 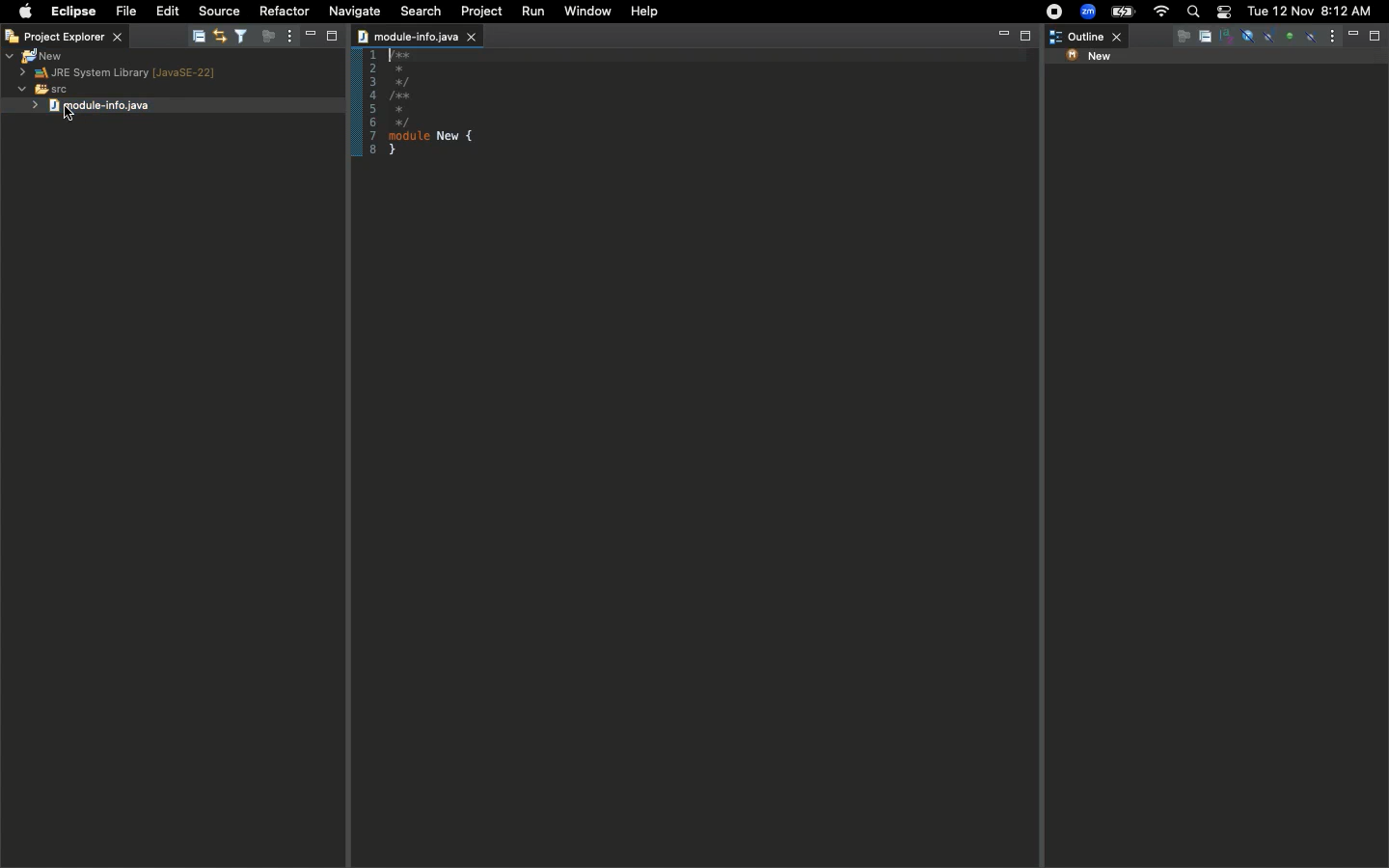 I want to click on New, so click(x=32, y=56).